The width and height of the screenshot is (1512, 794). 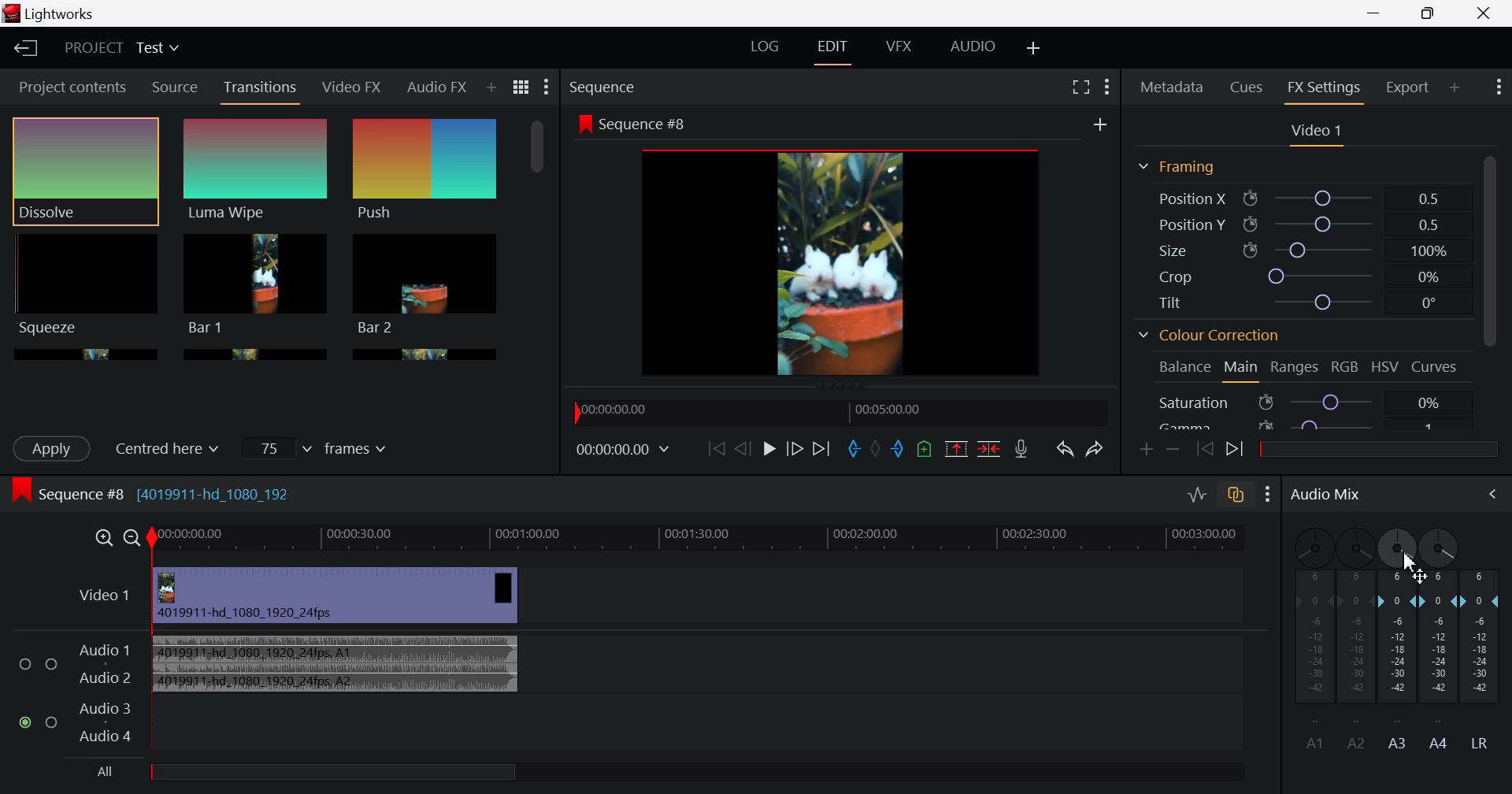 I want to click on Add Panel, so click(x=1455, y=87).